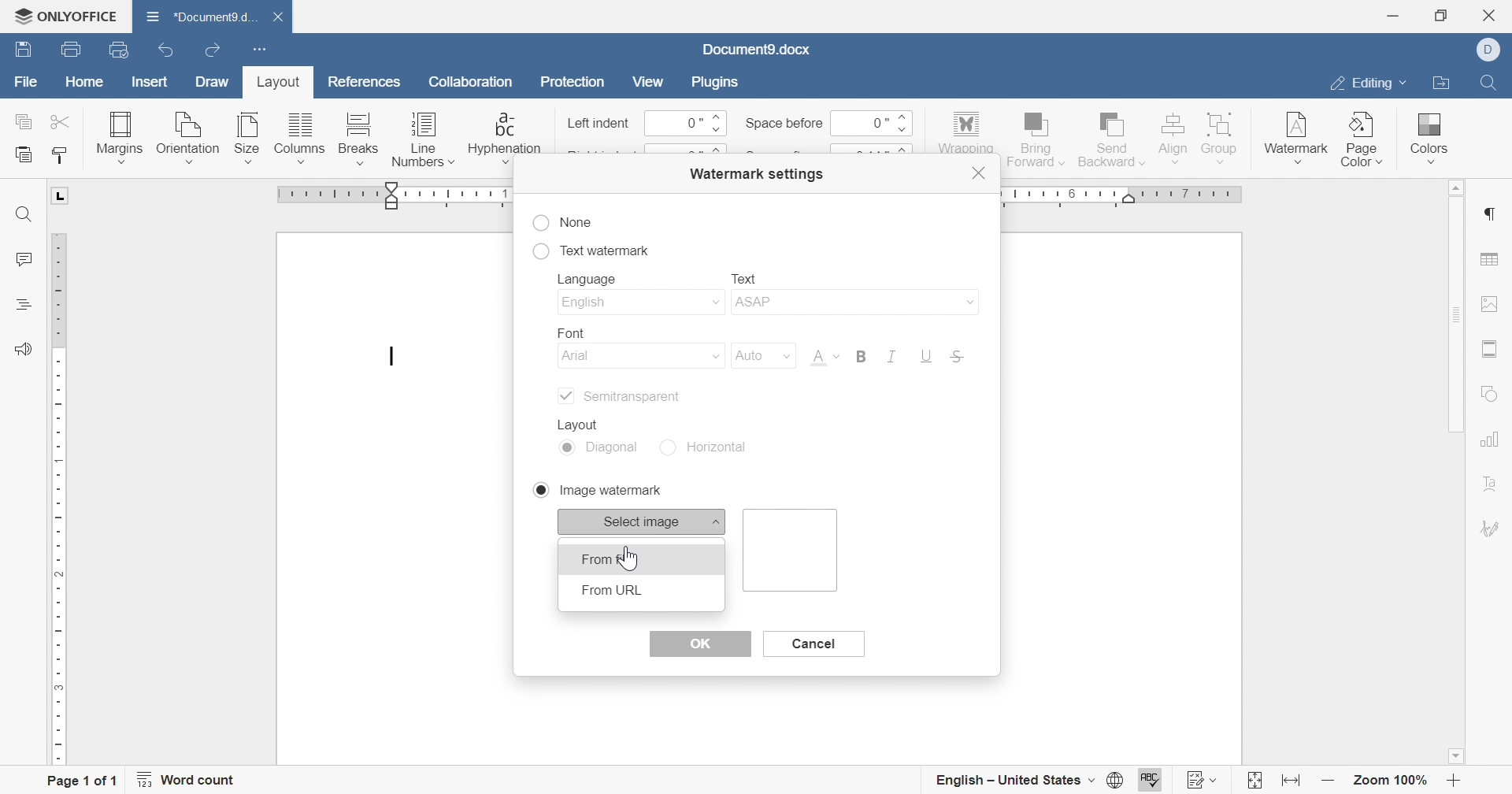 The height and width of the screenshot is (794, 1512). What do you see at coordinates (423, 143) in the screenshot?
I see `line numbers` at bounding box center [423, 143].